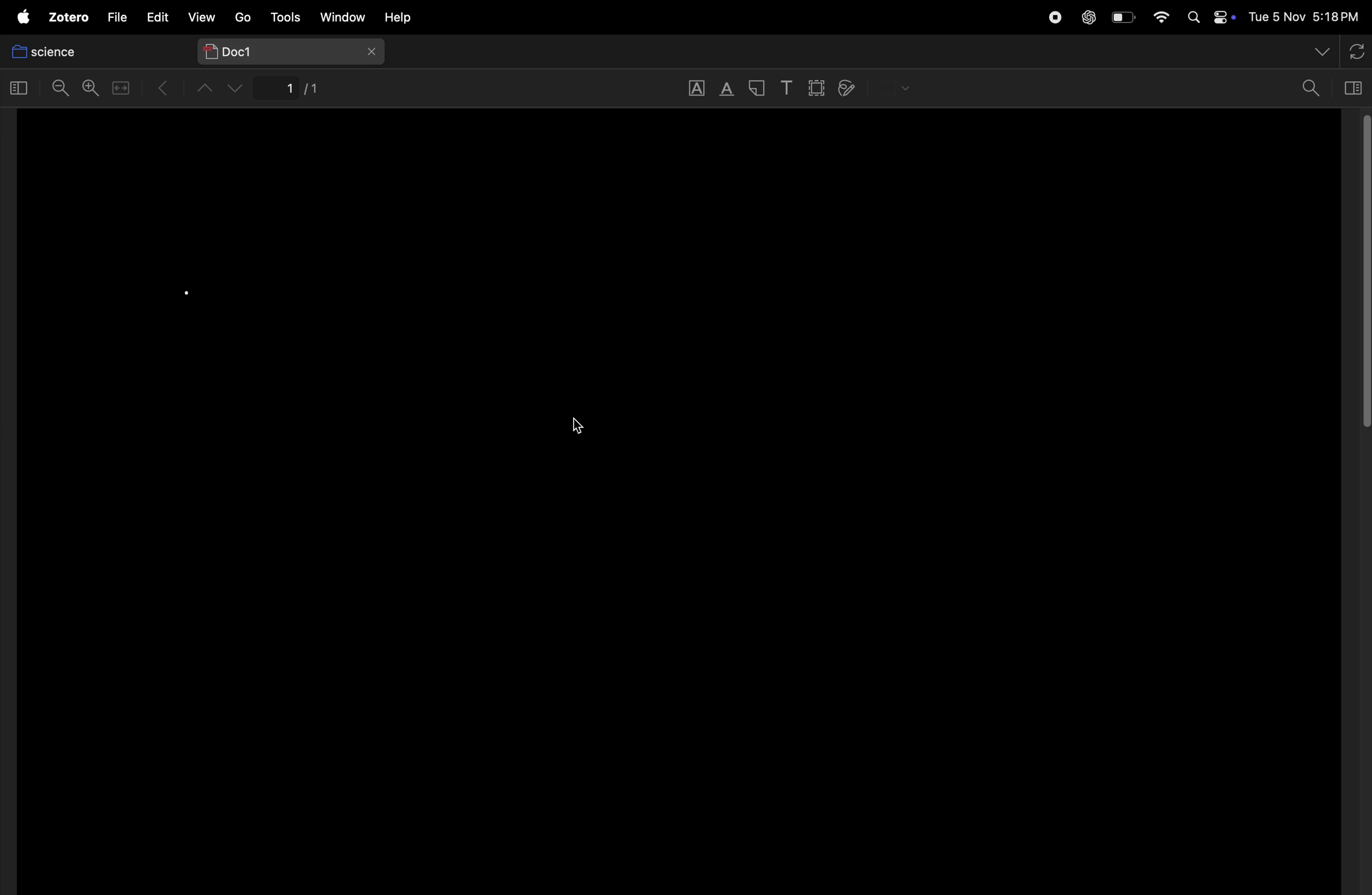 This screenshot has height=895, width=1372. I want to click on zotero, so click(68, 17).